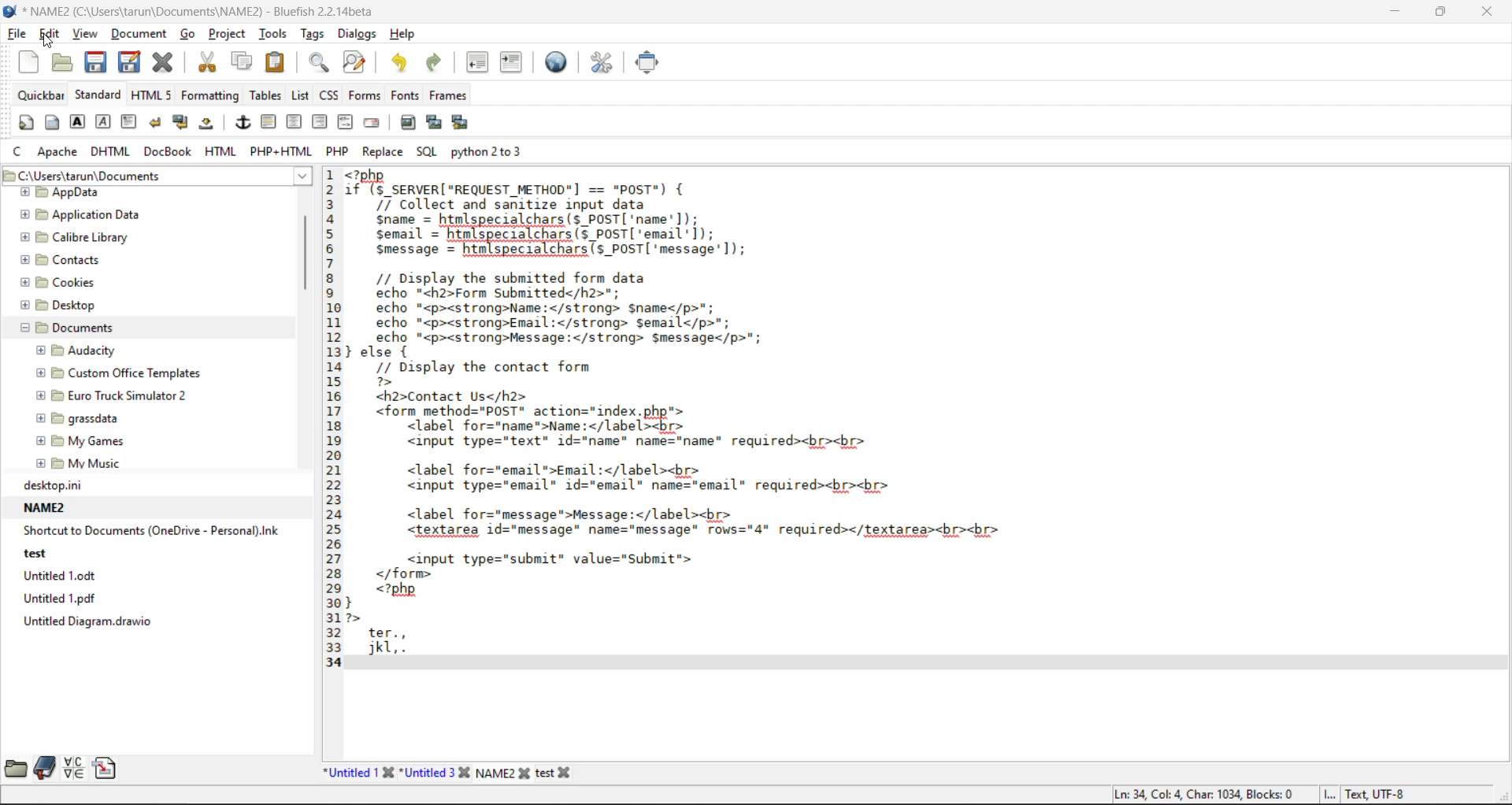 Image resolution: width=1512 pixels, height=805 pixels. I want to click on horizontal rule, so click(269, 121).